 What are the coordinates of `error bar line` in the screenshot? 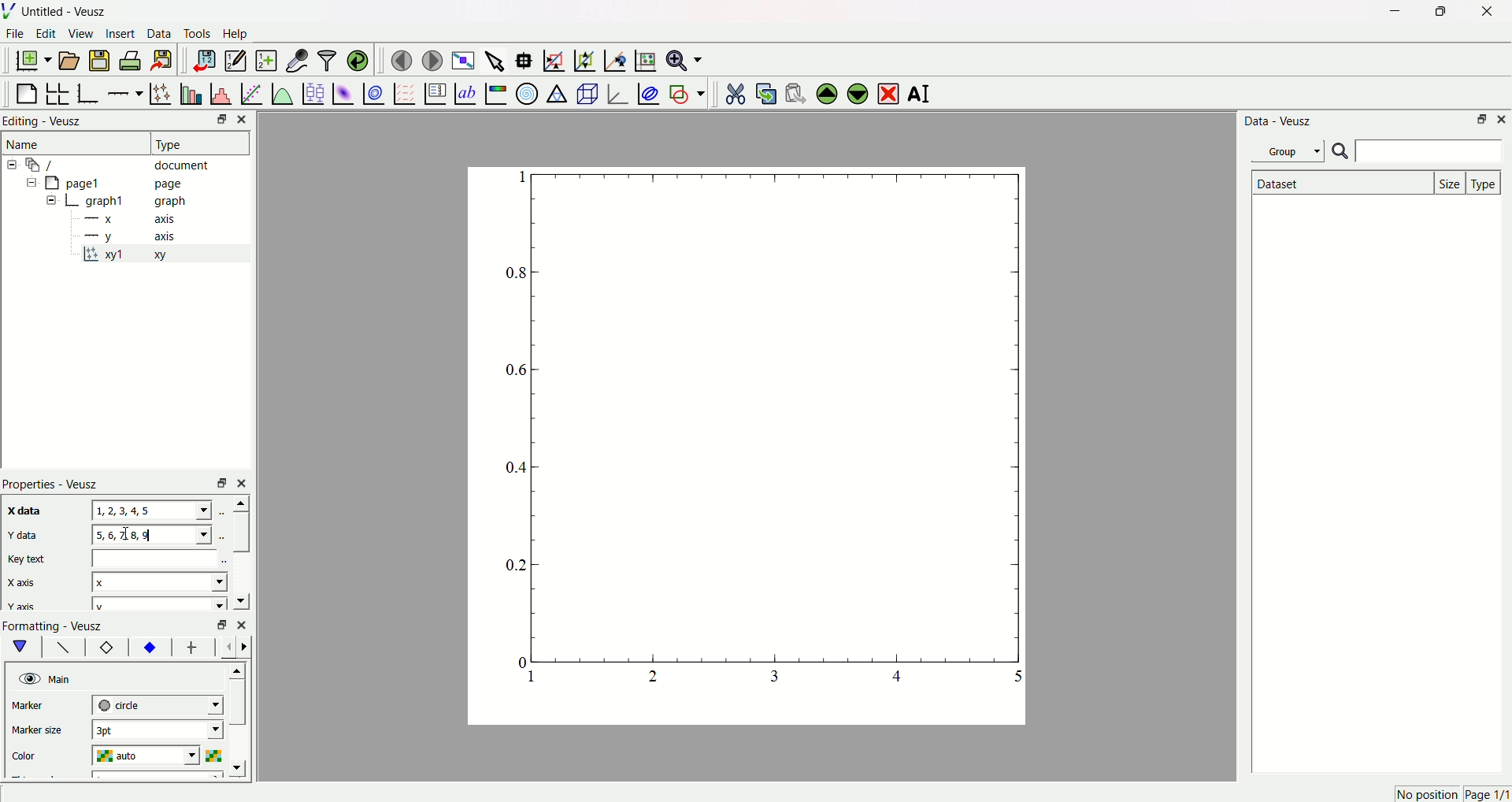 It's located at (192, 649).